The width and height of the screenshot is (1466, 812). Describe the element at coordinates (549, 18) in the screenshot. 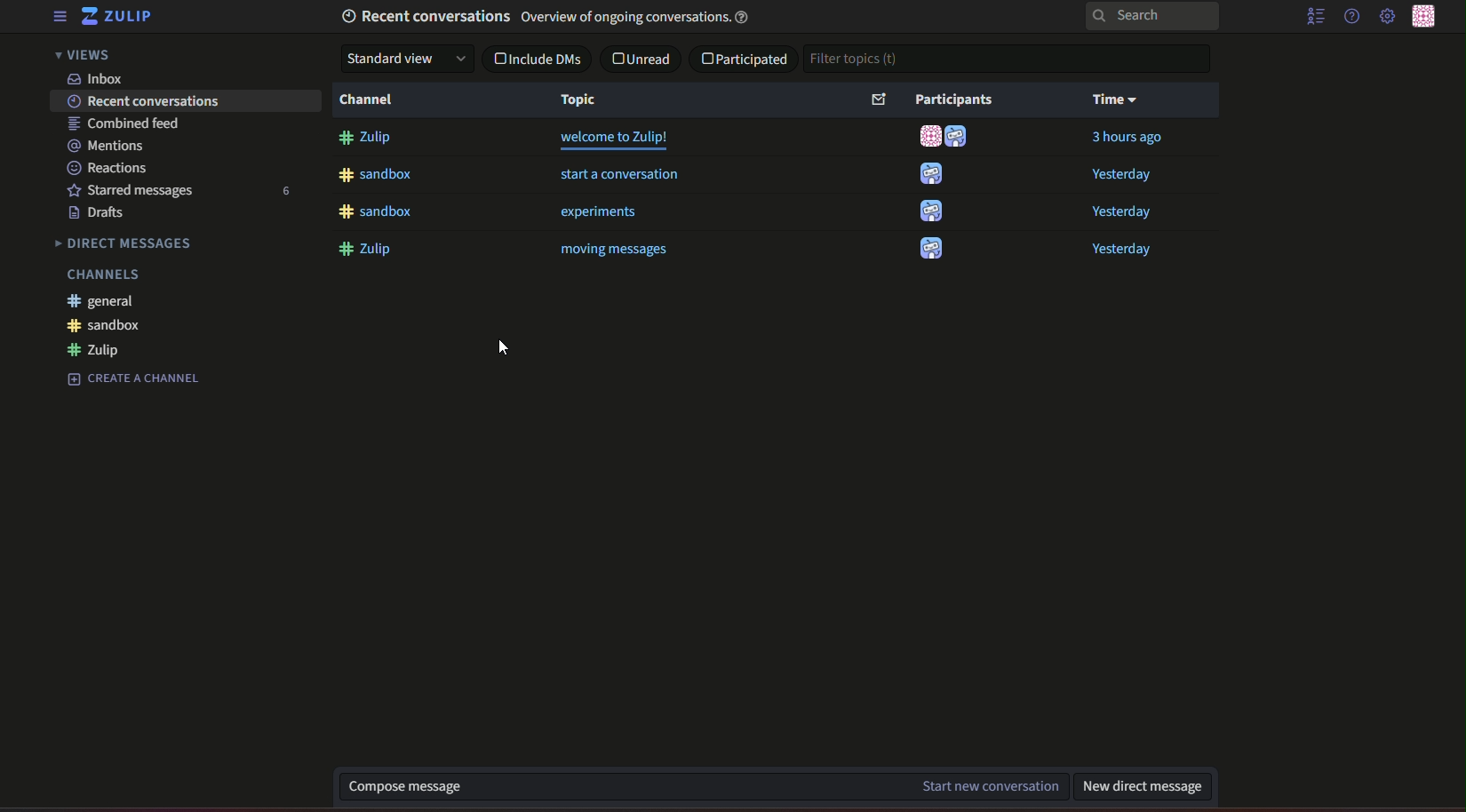

I see `Recent conversations overview of ongoing conversations` at that location.